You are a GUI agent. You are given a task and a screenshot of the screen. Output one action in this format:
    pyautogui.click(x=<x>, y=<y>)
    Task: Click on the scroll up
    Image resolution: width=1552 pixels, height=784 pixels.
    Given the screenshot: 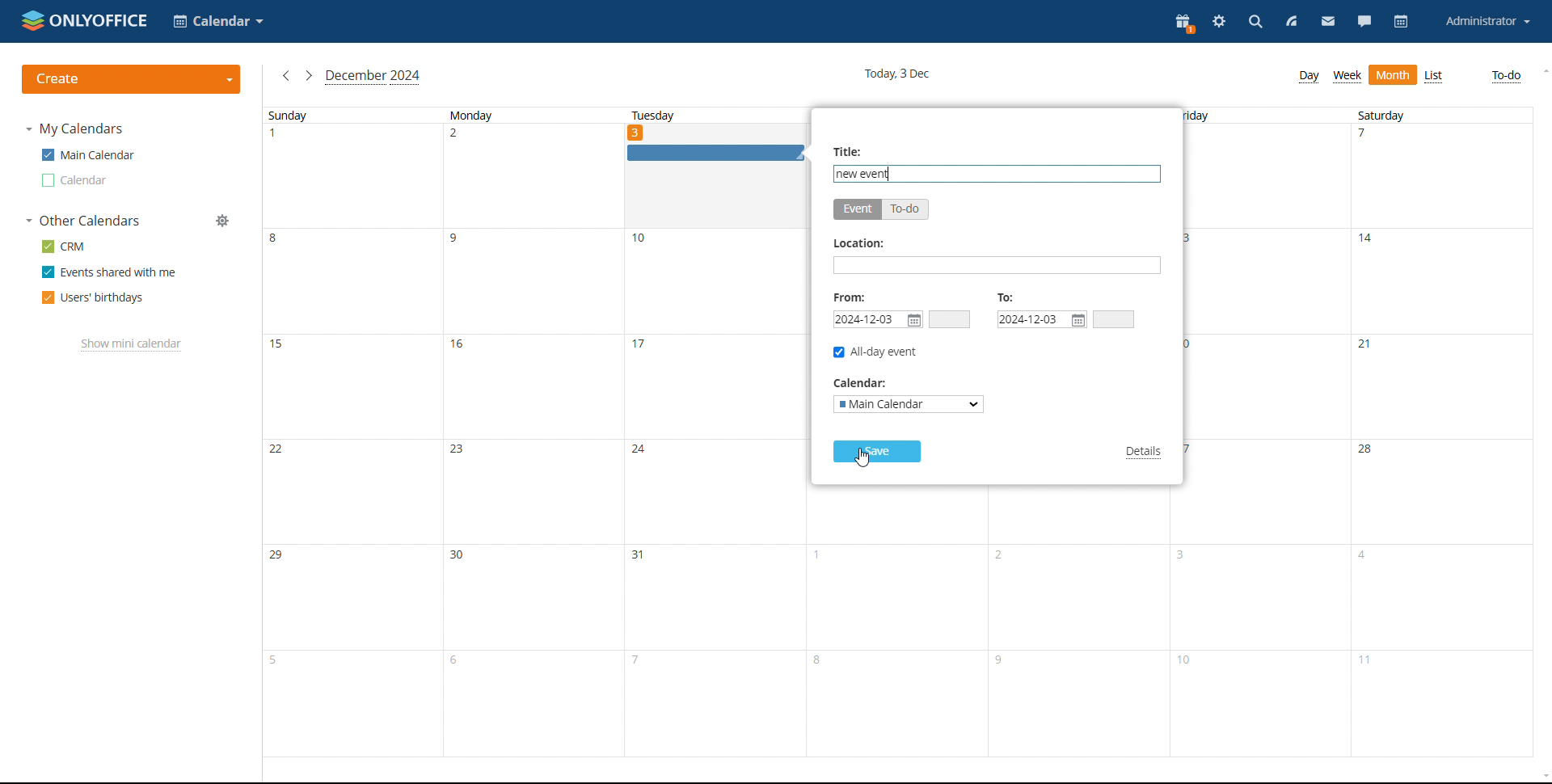 What is the action you would take?
    pyautogui.click(x=1542, y=70)
    